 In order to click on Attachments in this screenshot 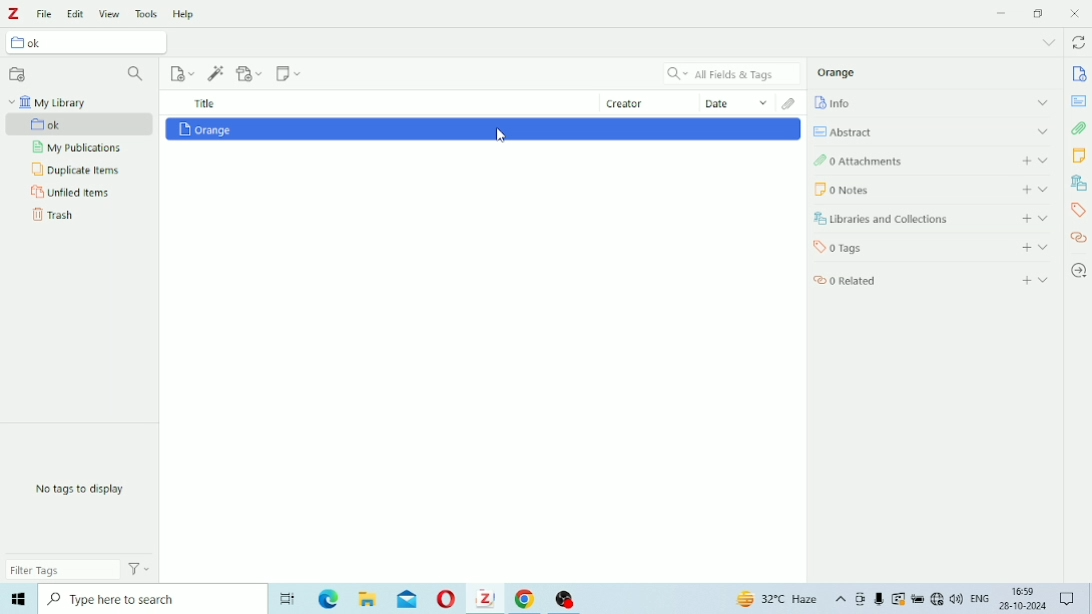, I will do `click(929, 159)`.